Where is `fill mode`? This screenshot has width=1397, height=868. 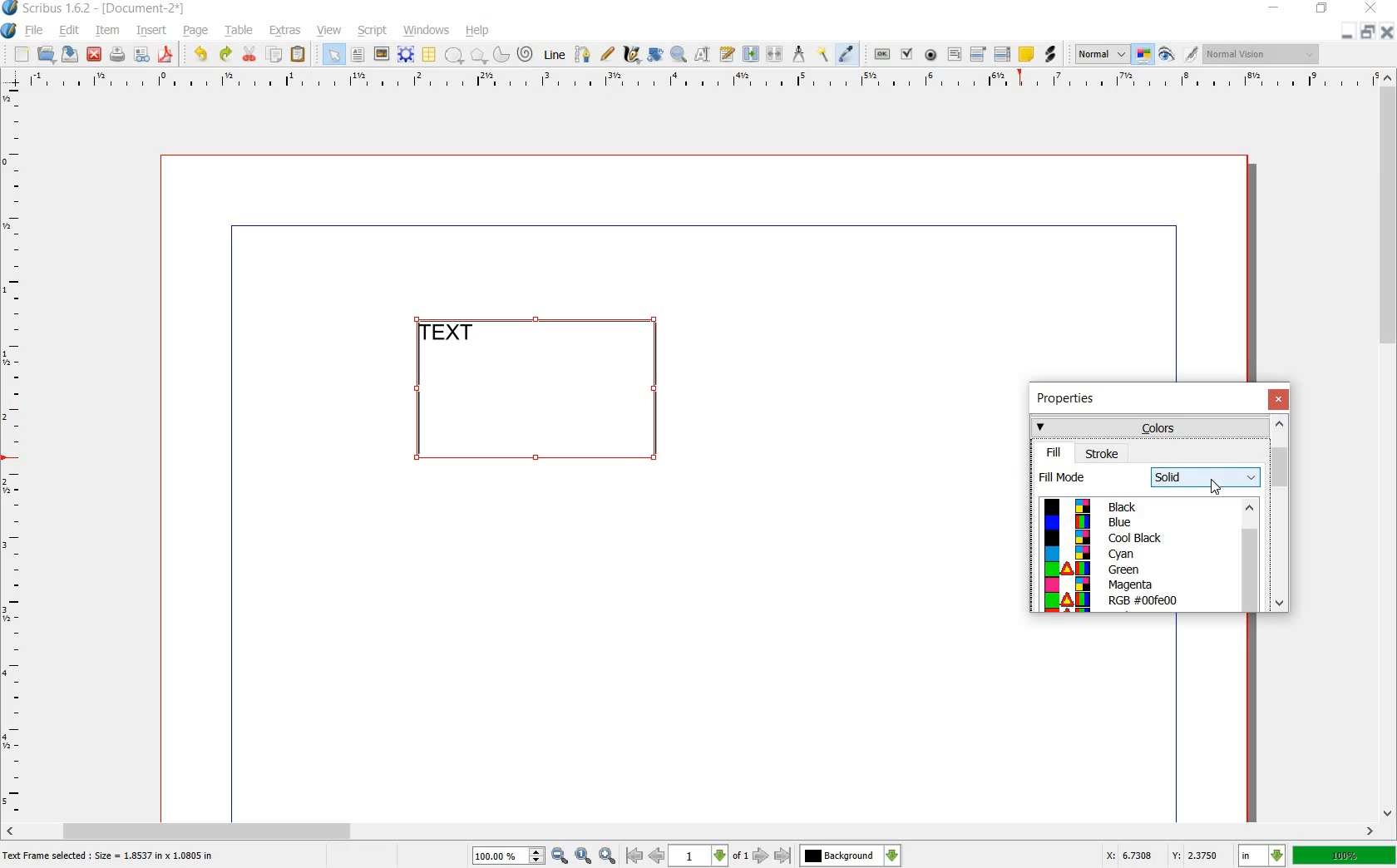
fill mode is located at coordinates (1091, 476).